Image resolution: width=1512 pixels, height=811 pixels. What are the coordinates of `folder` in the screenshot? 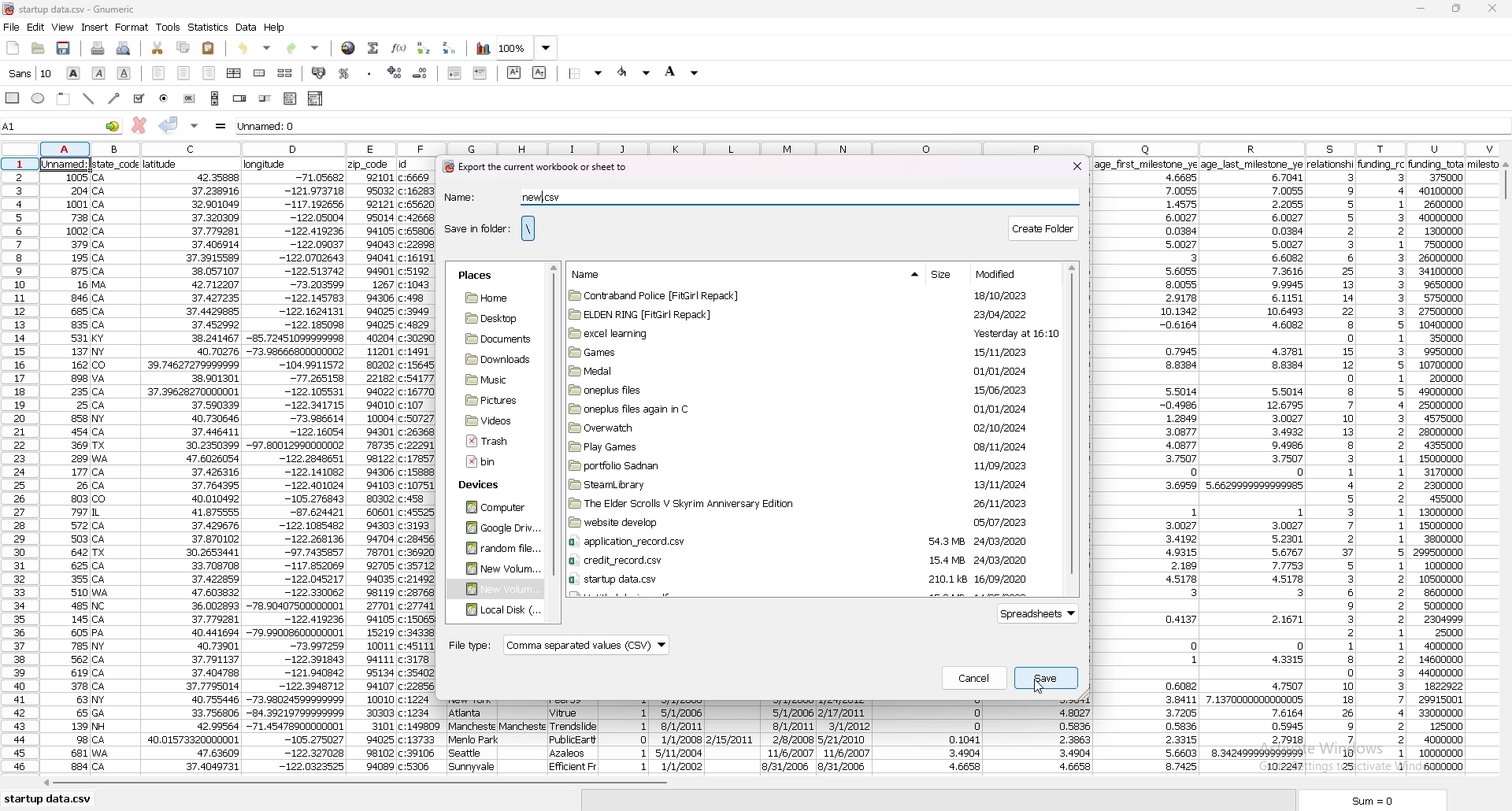 It's located at (812, 333).